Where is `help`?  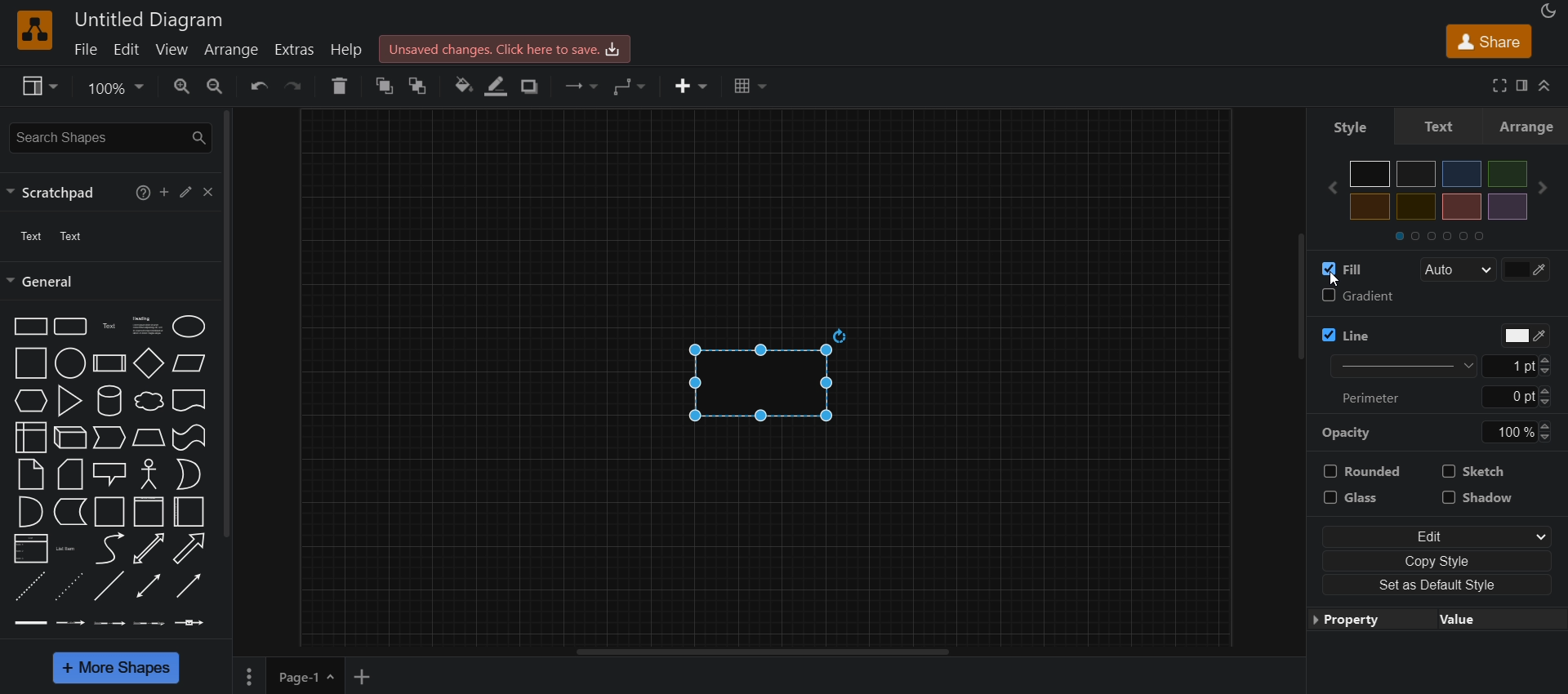
help is located at coordinates (338, 87).